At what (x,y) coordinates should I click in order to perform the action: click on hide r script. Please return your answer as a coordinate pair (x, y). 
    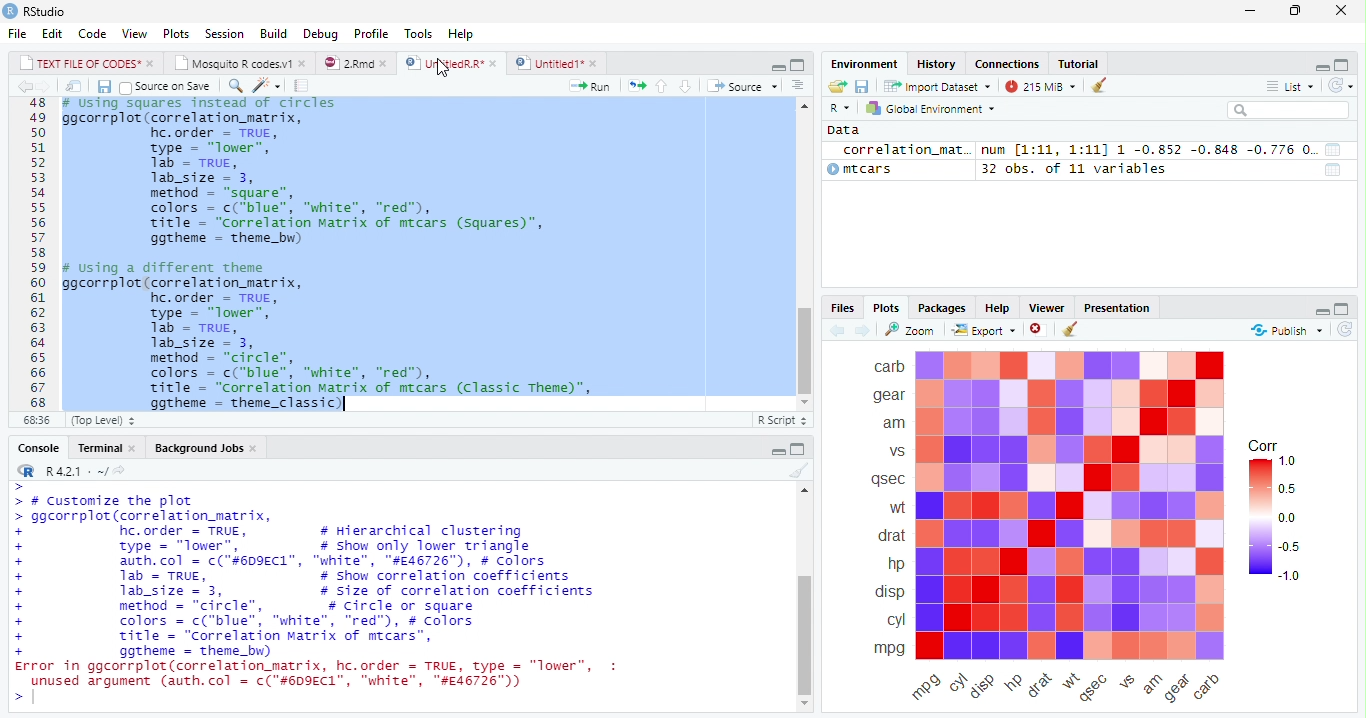
    Looking at the image, I should click on (1321, 66).